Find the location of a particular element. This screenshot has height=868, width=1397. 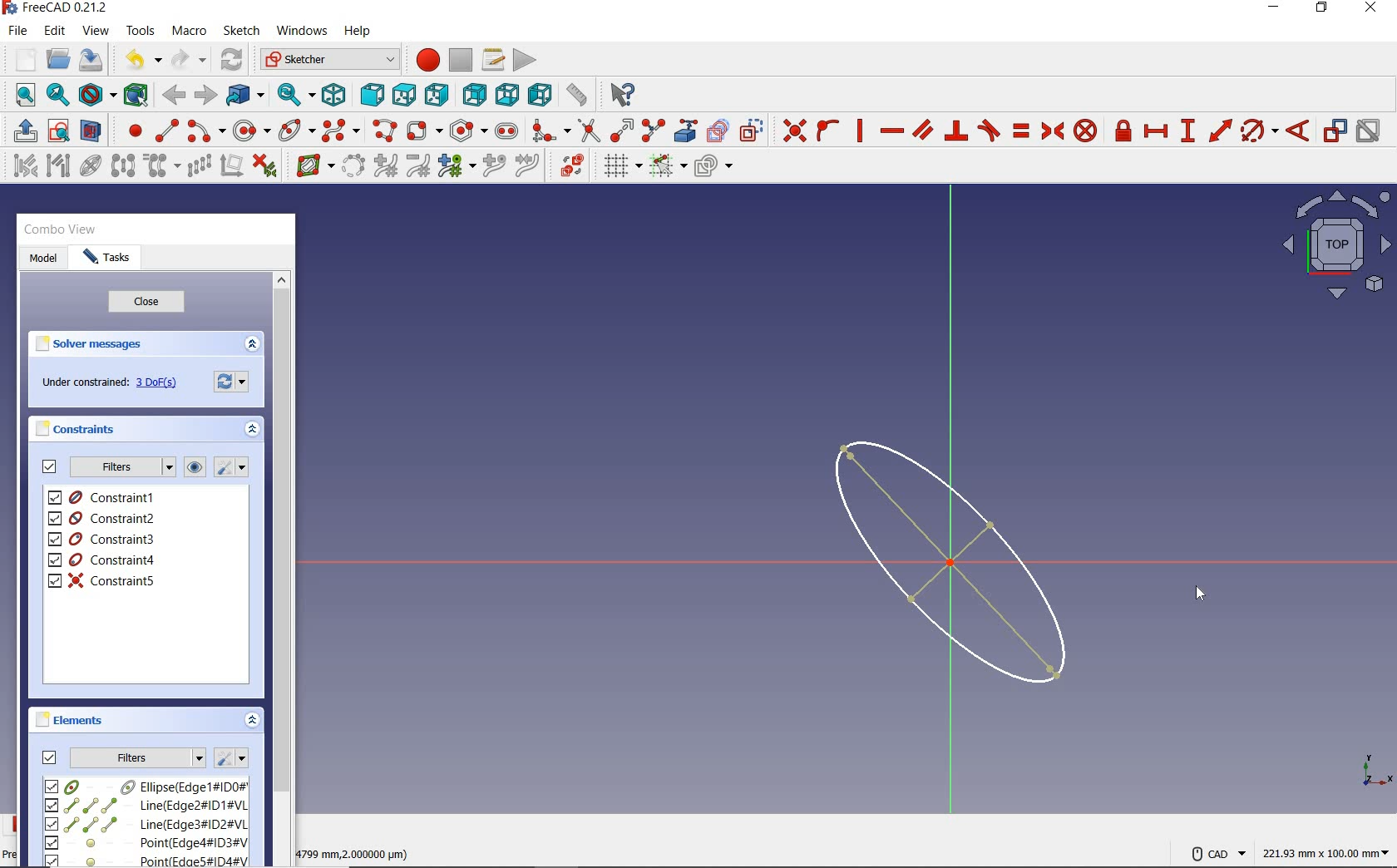

create polyline is located at coordinates (383, 131).